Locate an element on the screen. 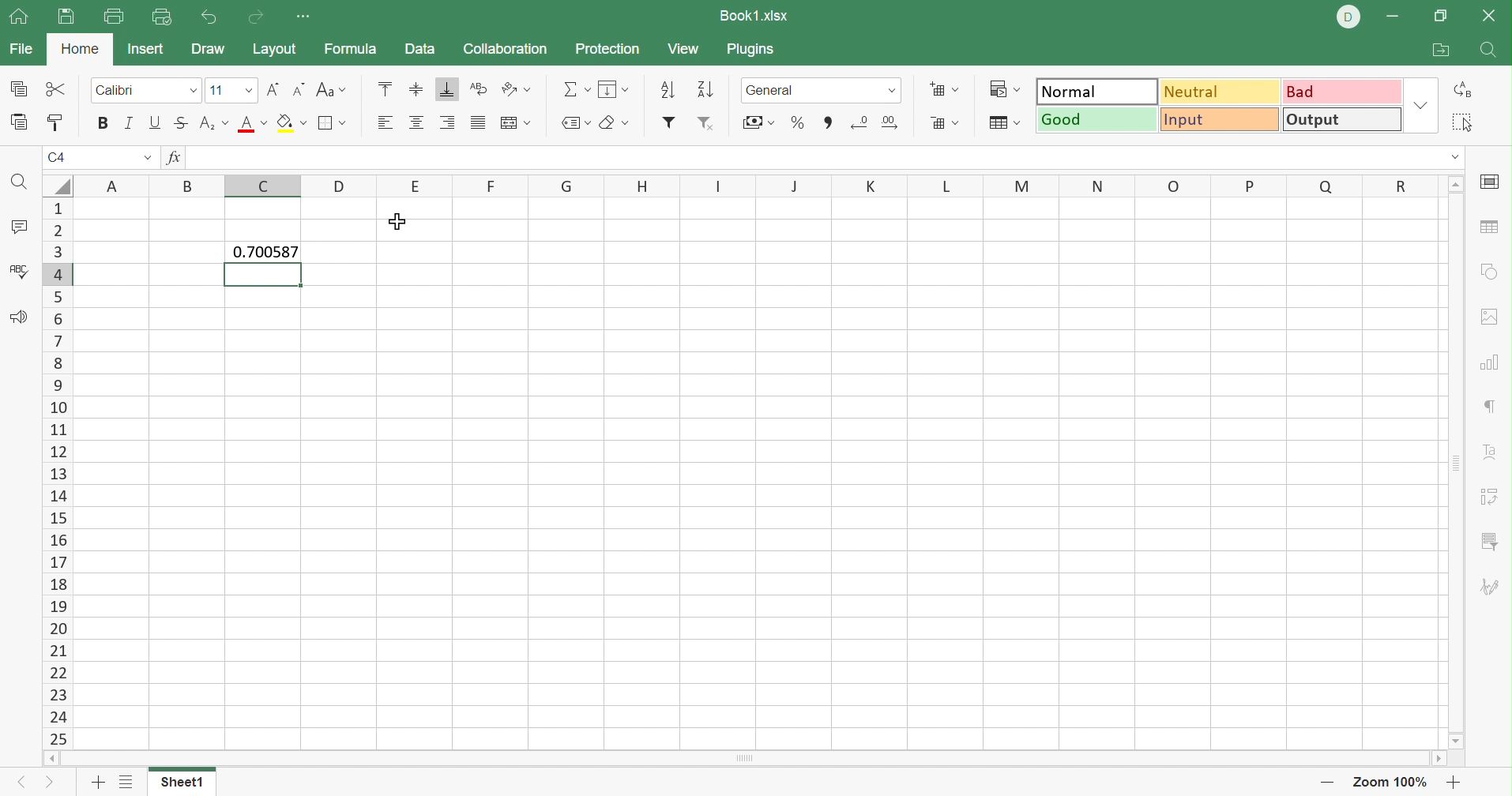  Zoom out is located at coordinates (1327, 785).